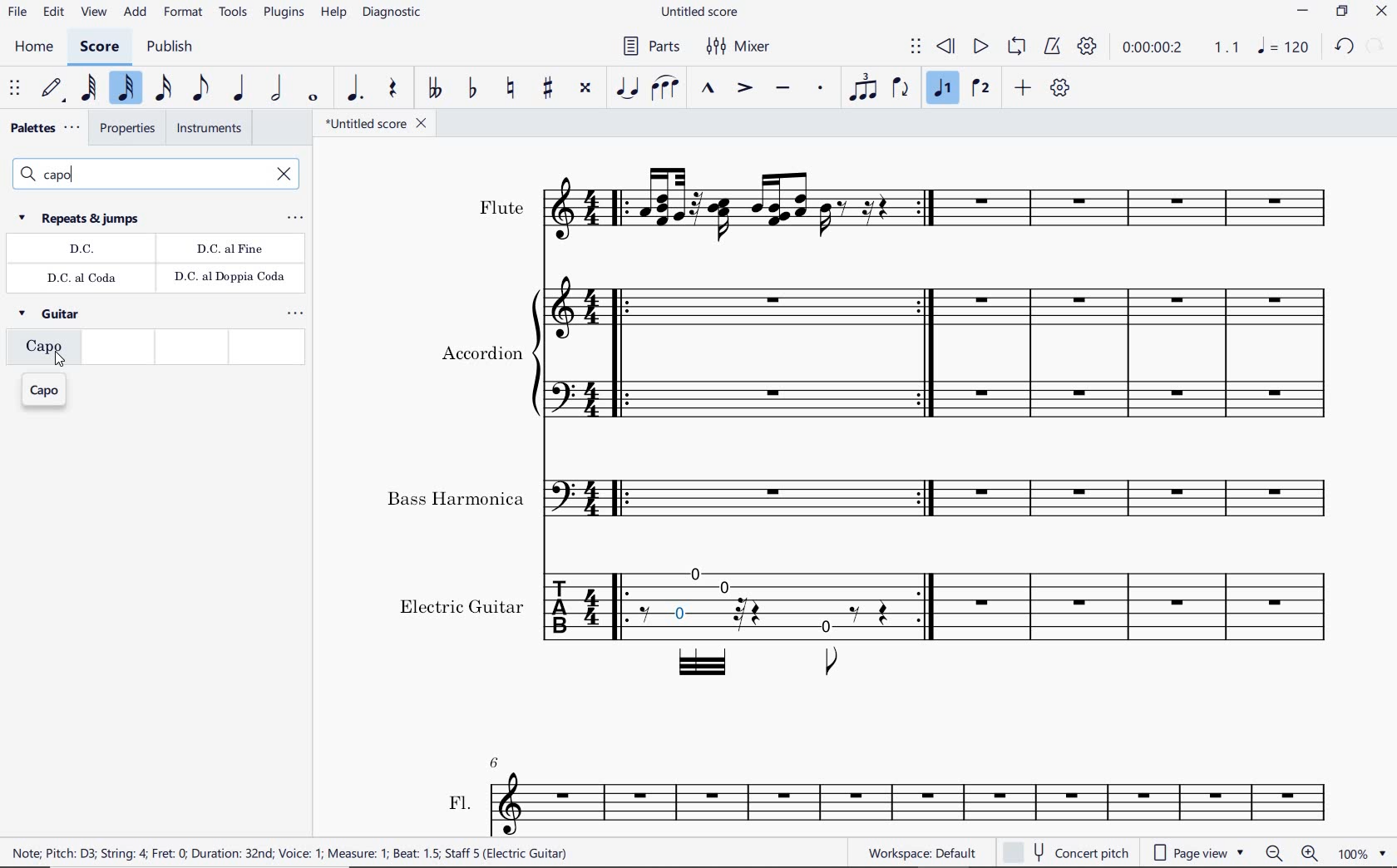 Image resolution: width=1397 pixels, height=868 pixels. What do you see at coordinates (884, 356) in the screenshot?
I see `Instrument: Accordion` at bounding box center [884, 356].